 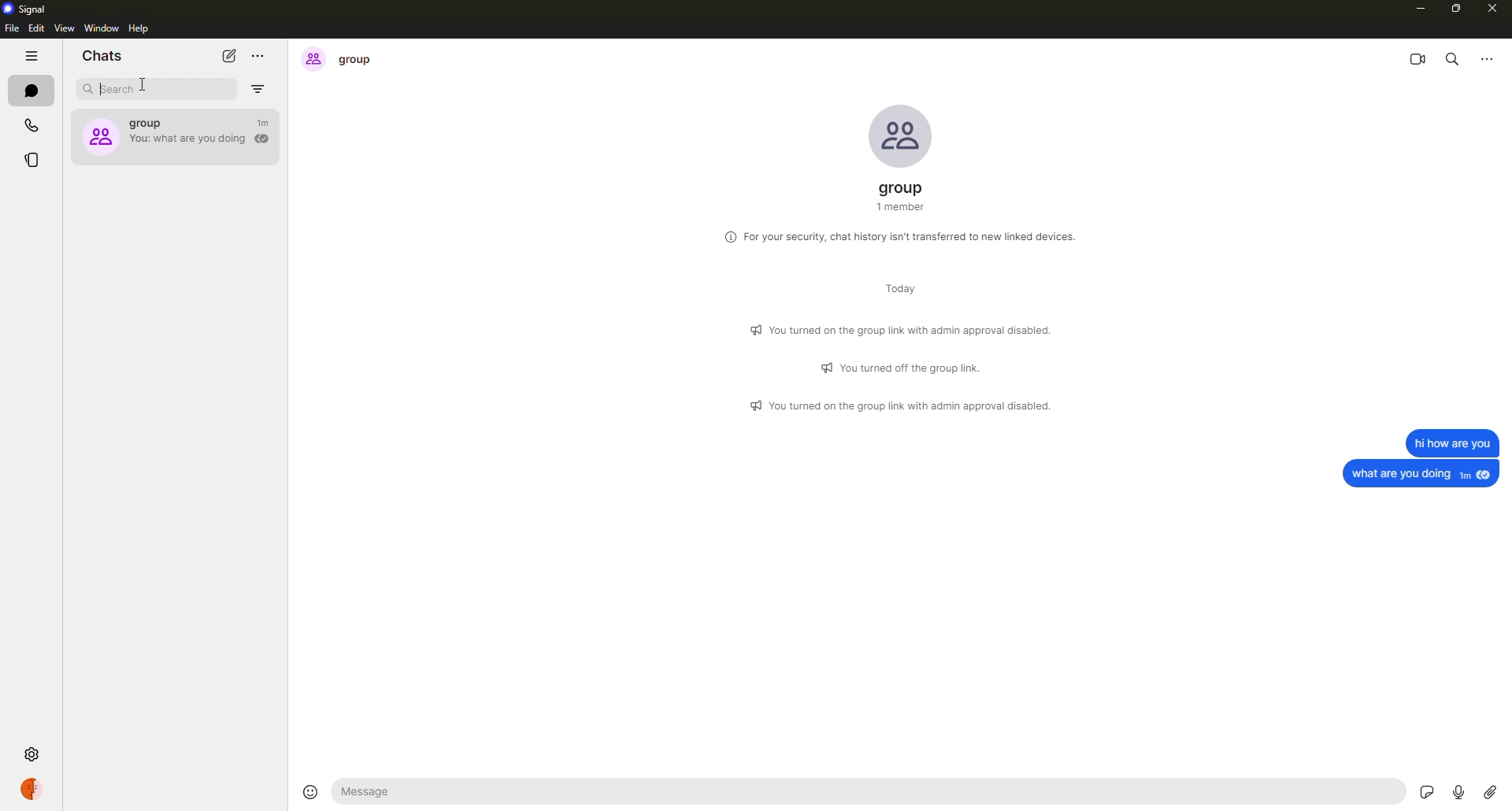 What do you see at coordinates (903, 406) in the screenshot?
I see `info` at bounding box center [903, 406].